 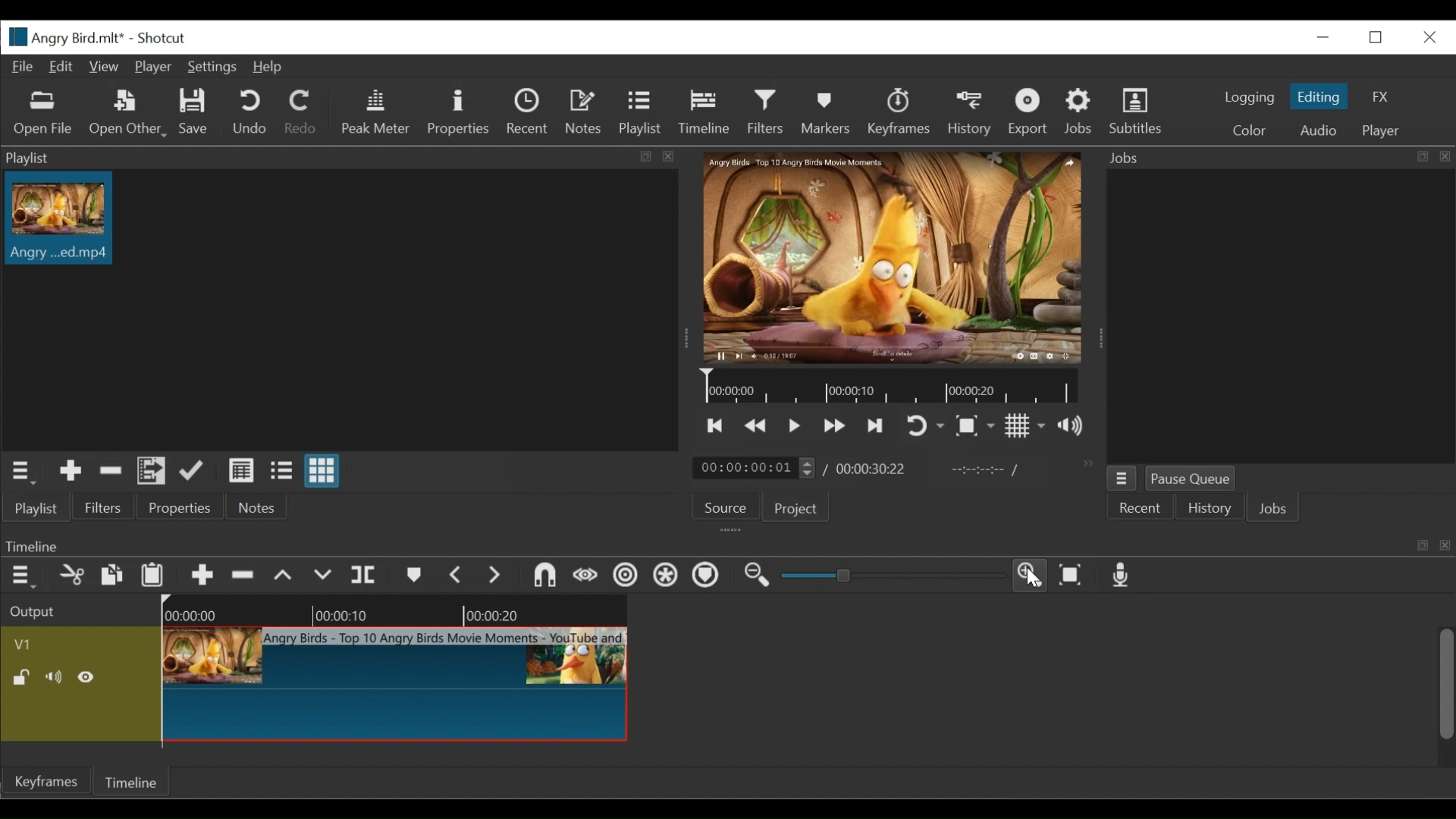 What do you see at coordinates (1276, 508) in the screenshot?
I see `Jobs` at bounding box center [1276, 508].